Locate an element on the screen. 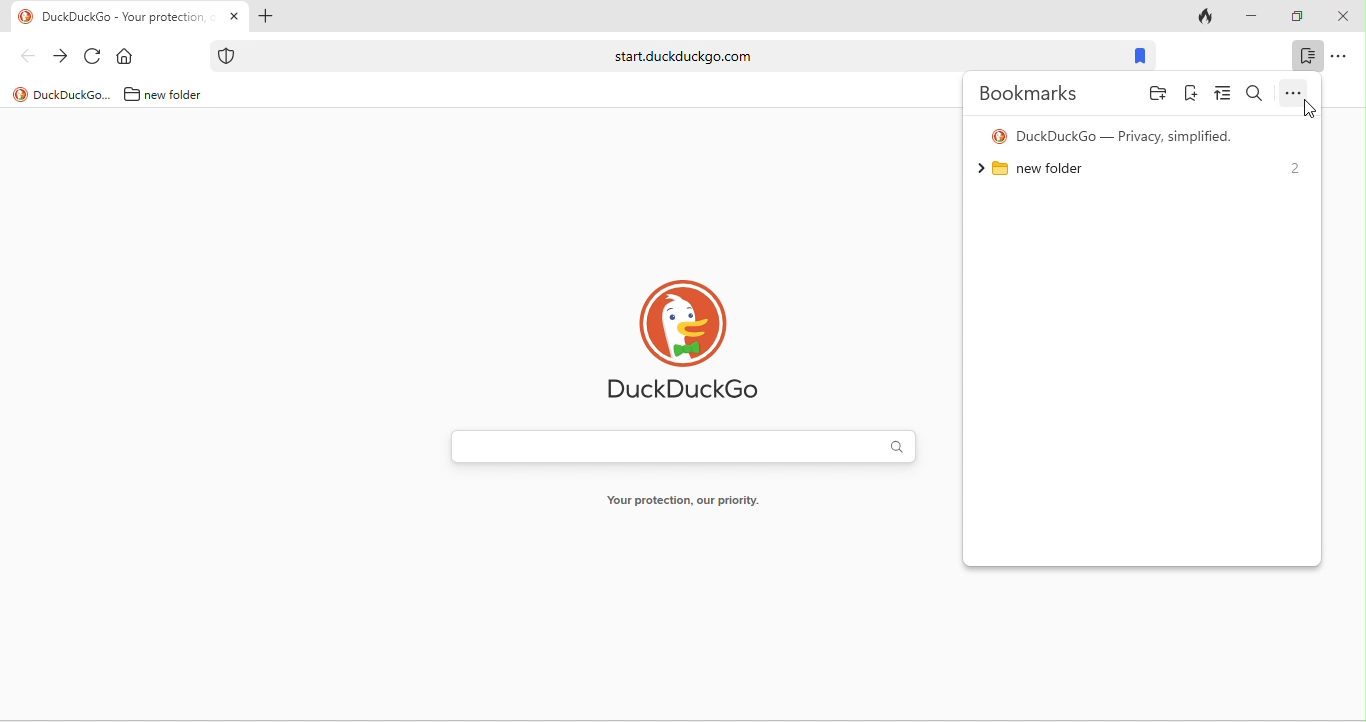 Image resolution: width=1366 pixels, height=722 pixels. reload is located at coordinates (93, 56).